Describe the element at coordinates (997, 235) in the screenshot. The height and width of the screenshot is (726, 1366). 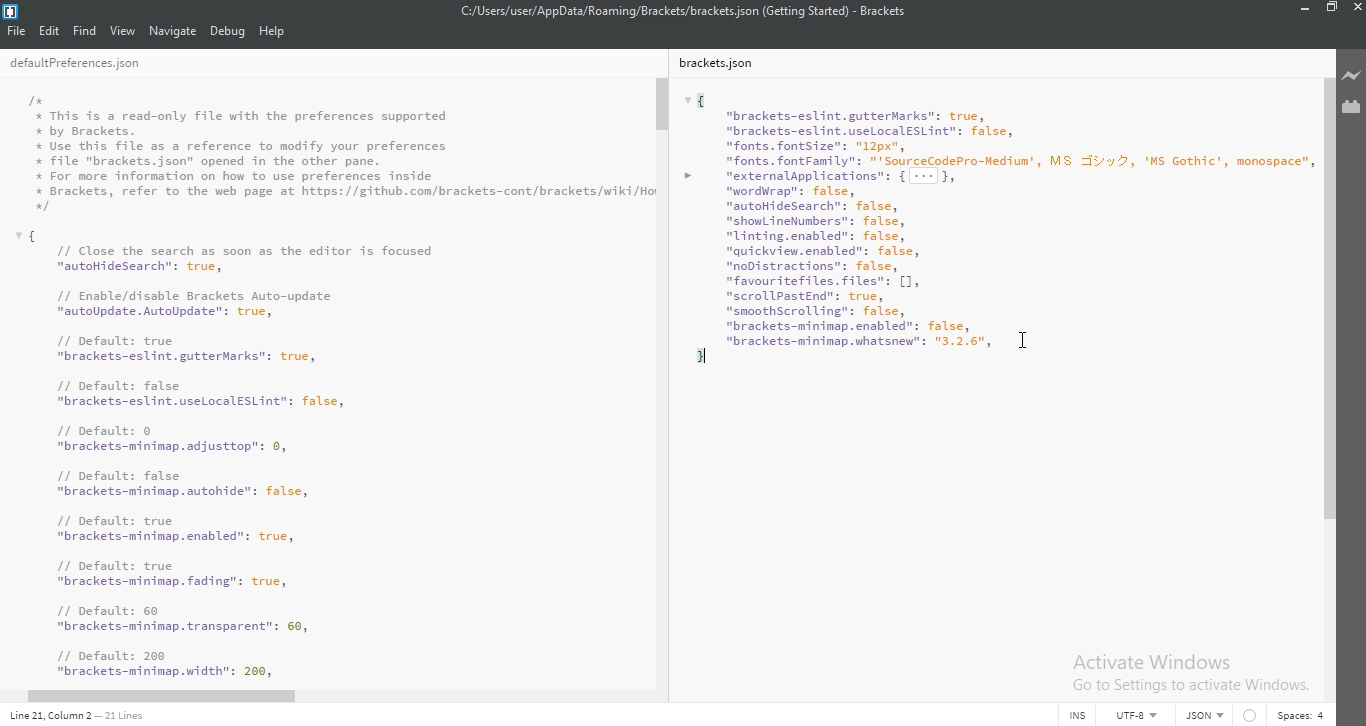
I see `1
“brackets-eslint.gutterMarks": true,
“brackets-eslint.useLocalESLint": false,
“fonts. fontsize": "12px",
“fonts. fontFamily": "'SourceCodePro-Mediun', MS Tf/y2, 'MS Gothic’, monospace"

> vexternalpplications™: {|---|},
“wordwrap": false,
“autoMideSearch”: false,
“shoul ineNumbers": false,
“Uinting.enabled": false,
“quickview.enabled”: false,
“nobistractions": false,
“favouritefiles. files": [1,
“scrollPastEnd’: true,
“smoothscrolling": false,
“brackets-mininap. enabled": false,

: "brackets-minimap.whatsnew": "3.2.6", J` at that location.